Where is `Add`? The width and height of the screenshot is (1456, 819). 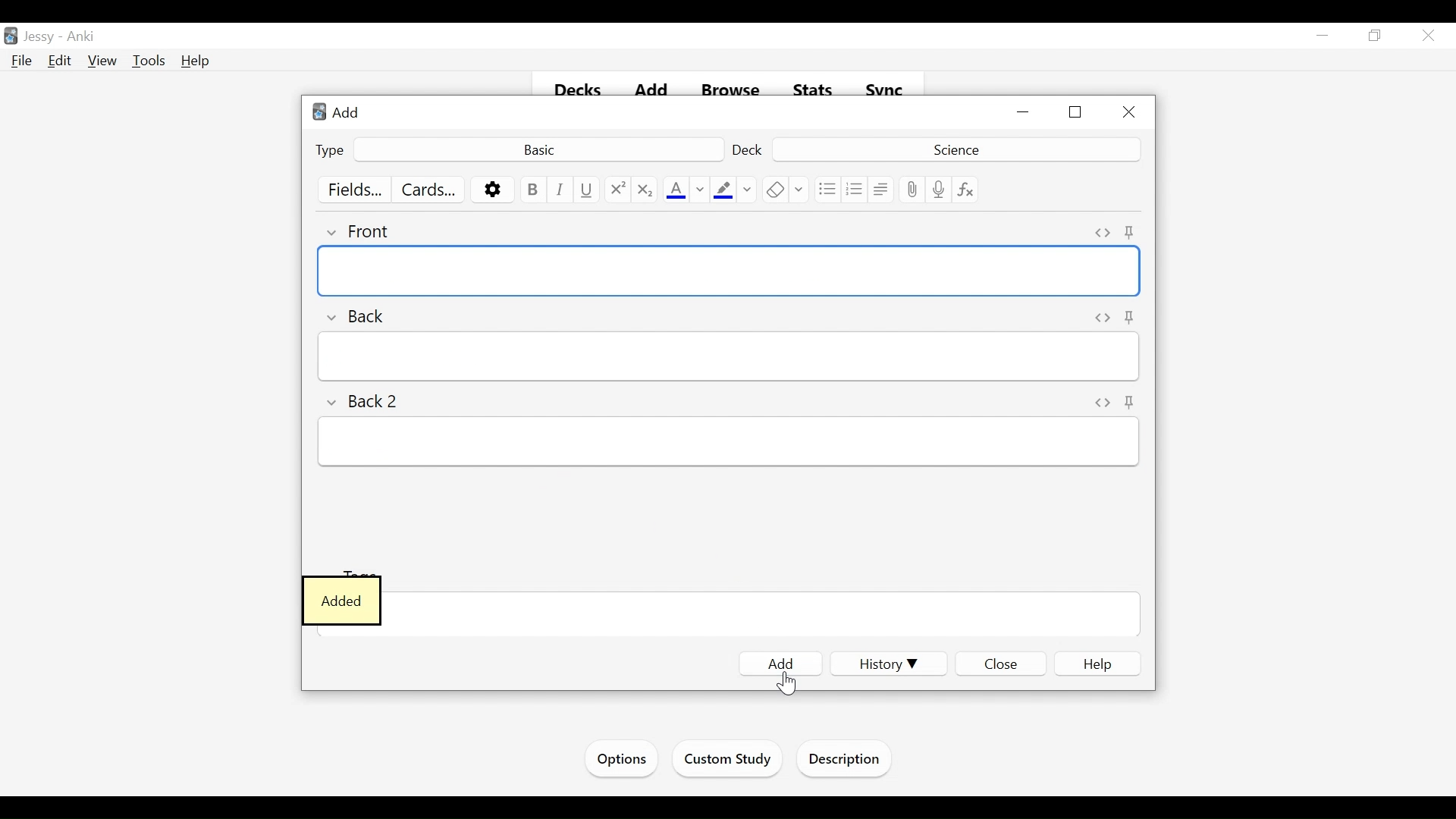 Add is located at coordinates (781, 664).